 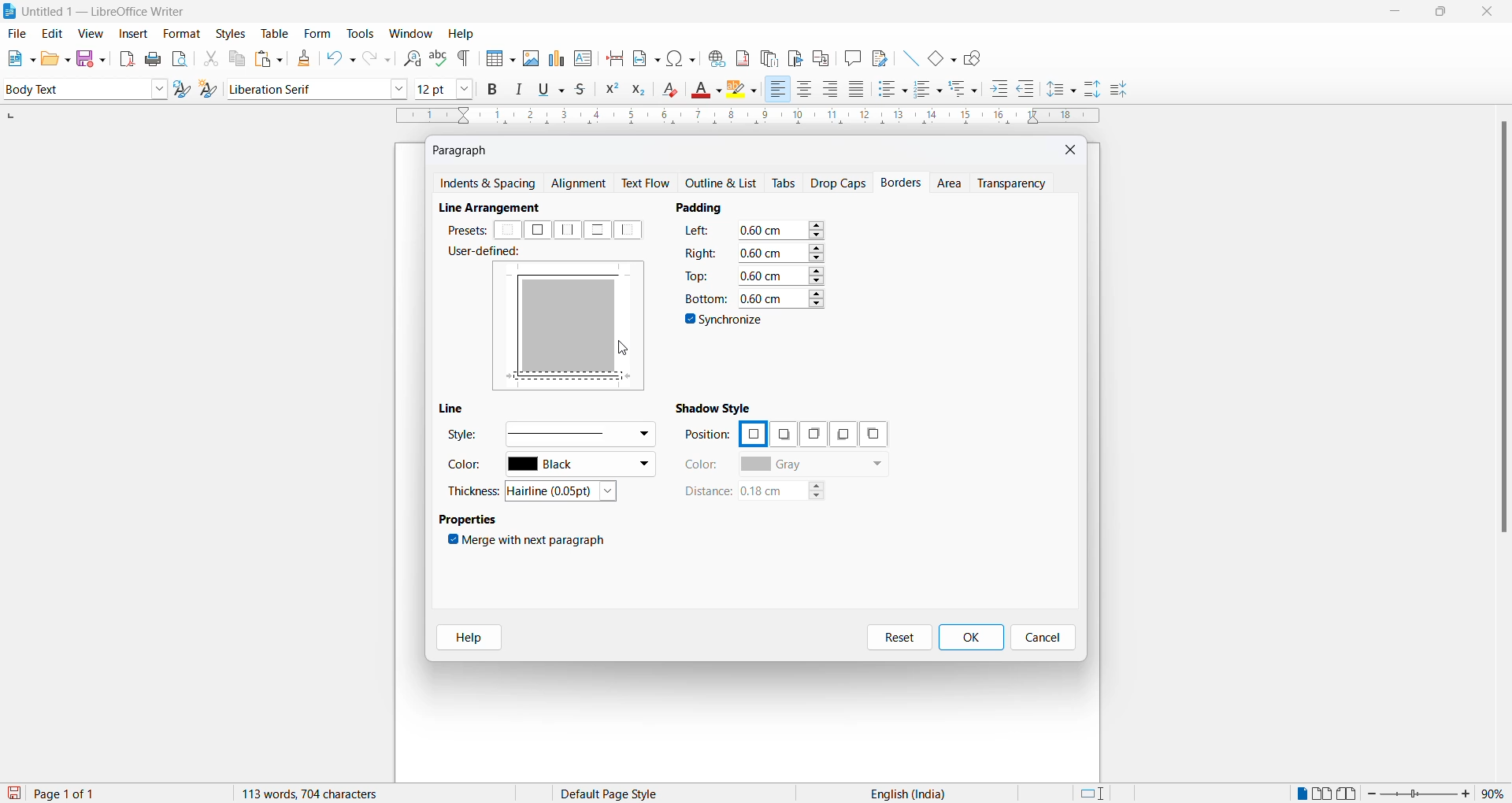 What do you see at coordinates (456, 409) in the screenshot?
I see `line` at bounding box center [456, 409].